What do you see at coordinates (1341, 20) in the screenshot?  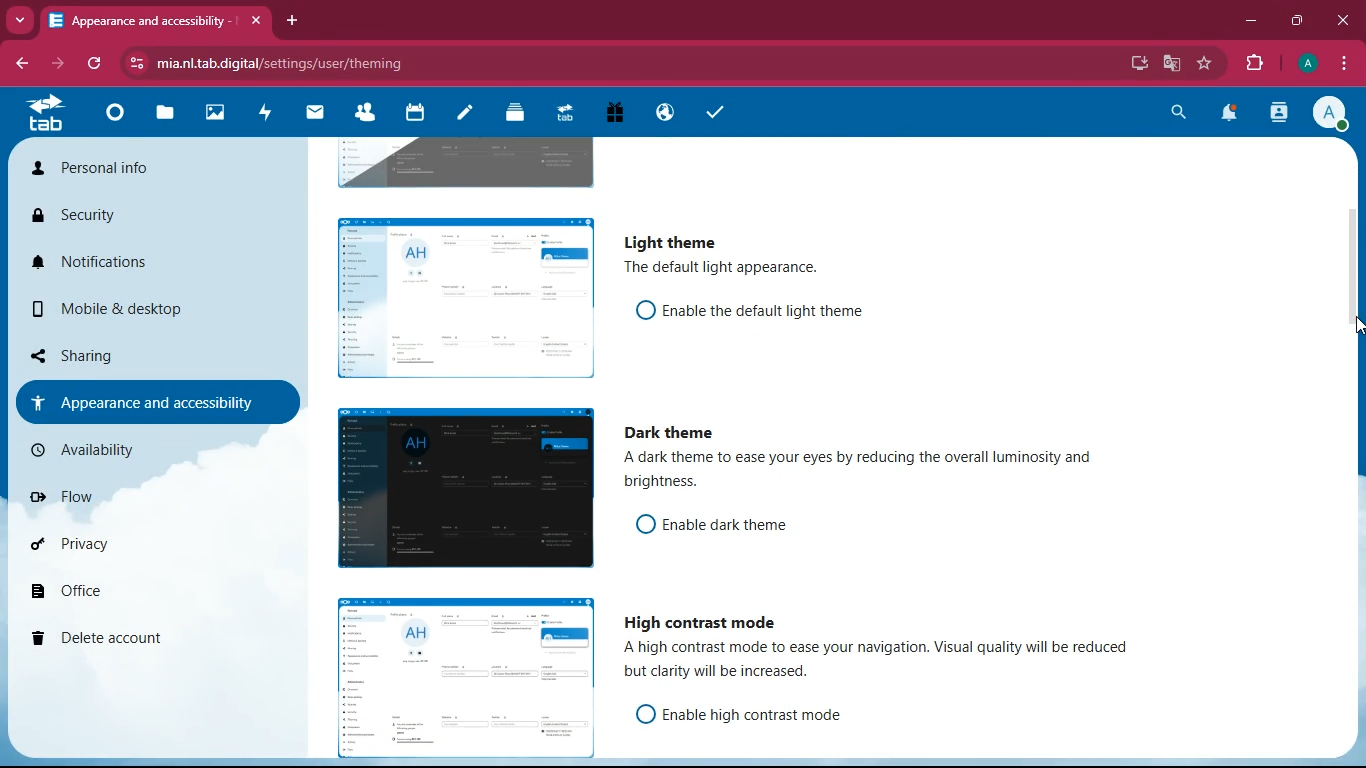 I see `close` at bounding box center [1341, 20].